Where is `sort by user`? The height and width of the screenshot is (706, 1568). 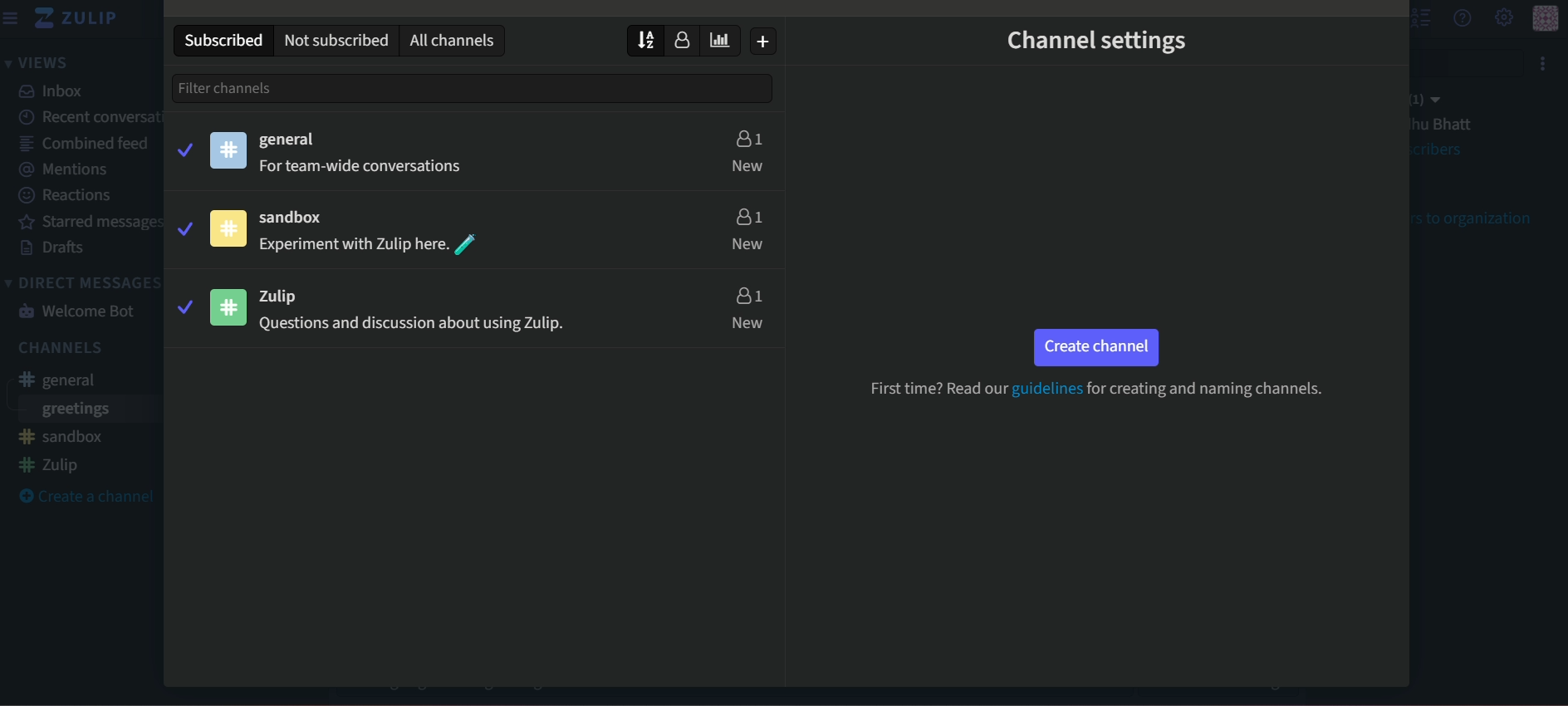
sort by user is located at coordinates (685, 41).